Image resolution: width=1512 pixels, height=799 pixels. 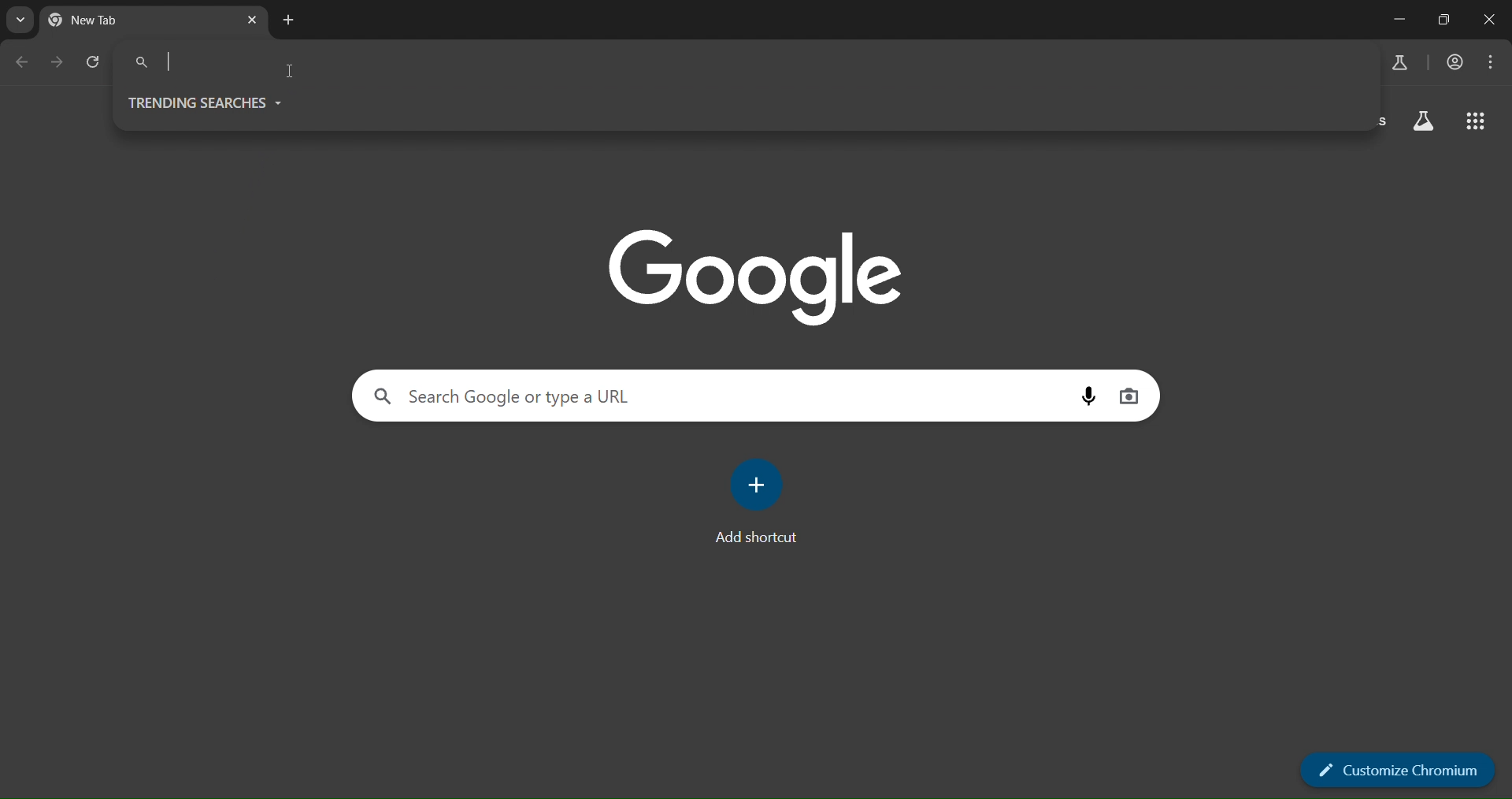 I want to click on cursor, so click(x=290, y=69).